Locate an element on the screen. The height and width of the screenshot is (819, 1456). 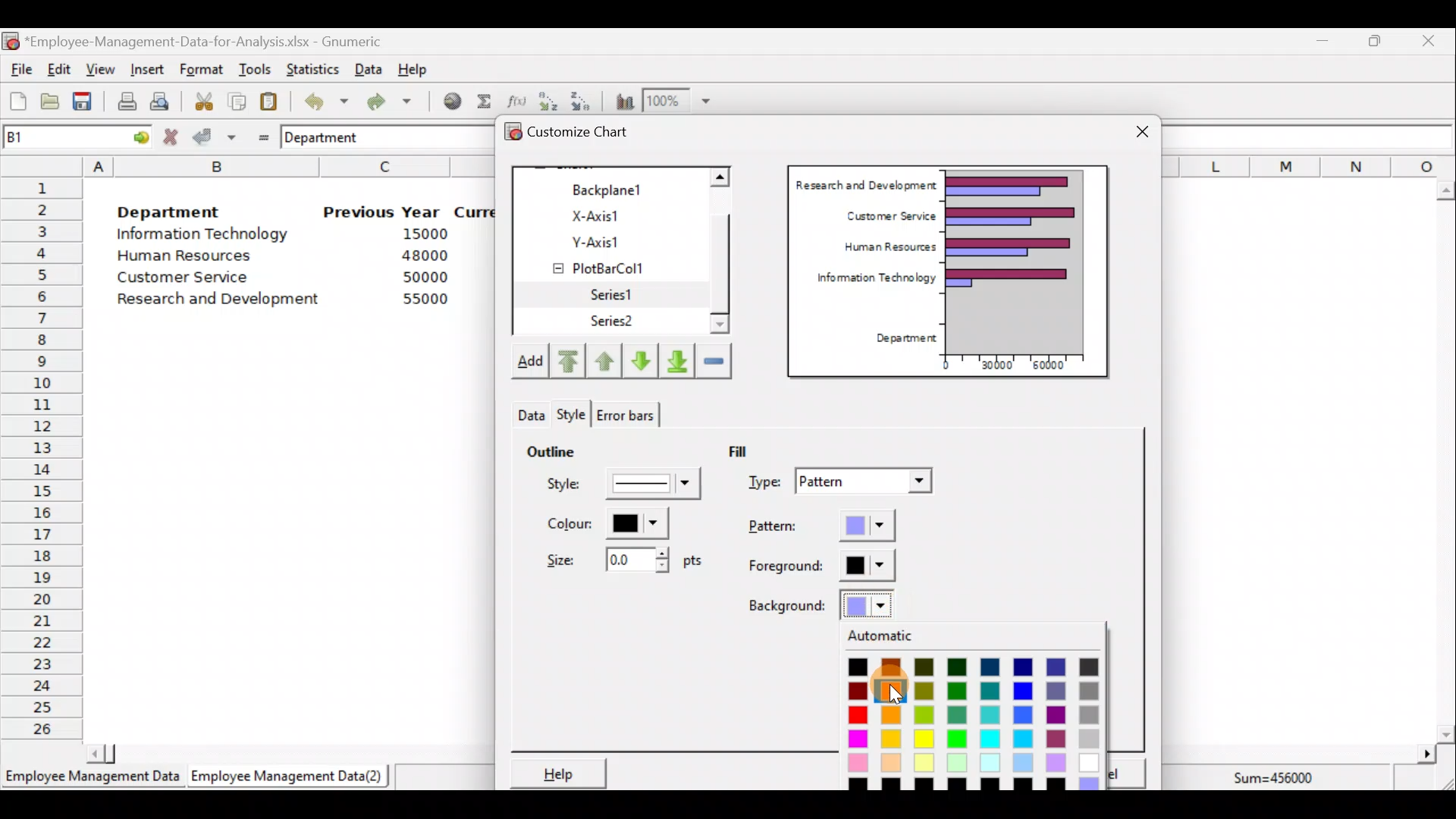
Style is located at coordinates (529, 411).